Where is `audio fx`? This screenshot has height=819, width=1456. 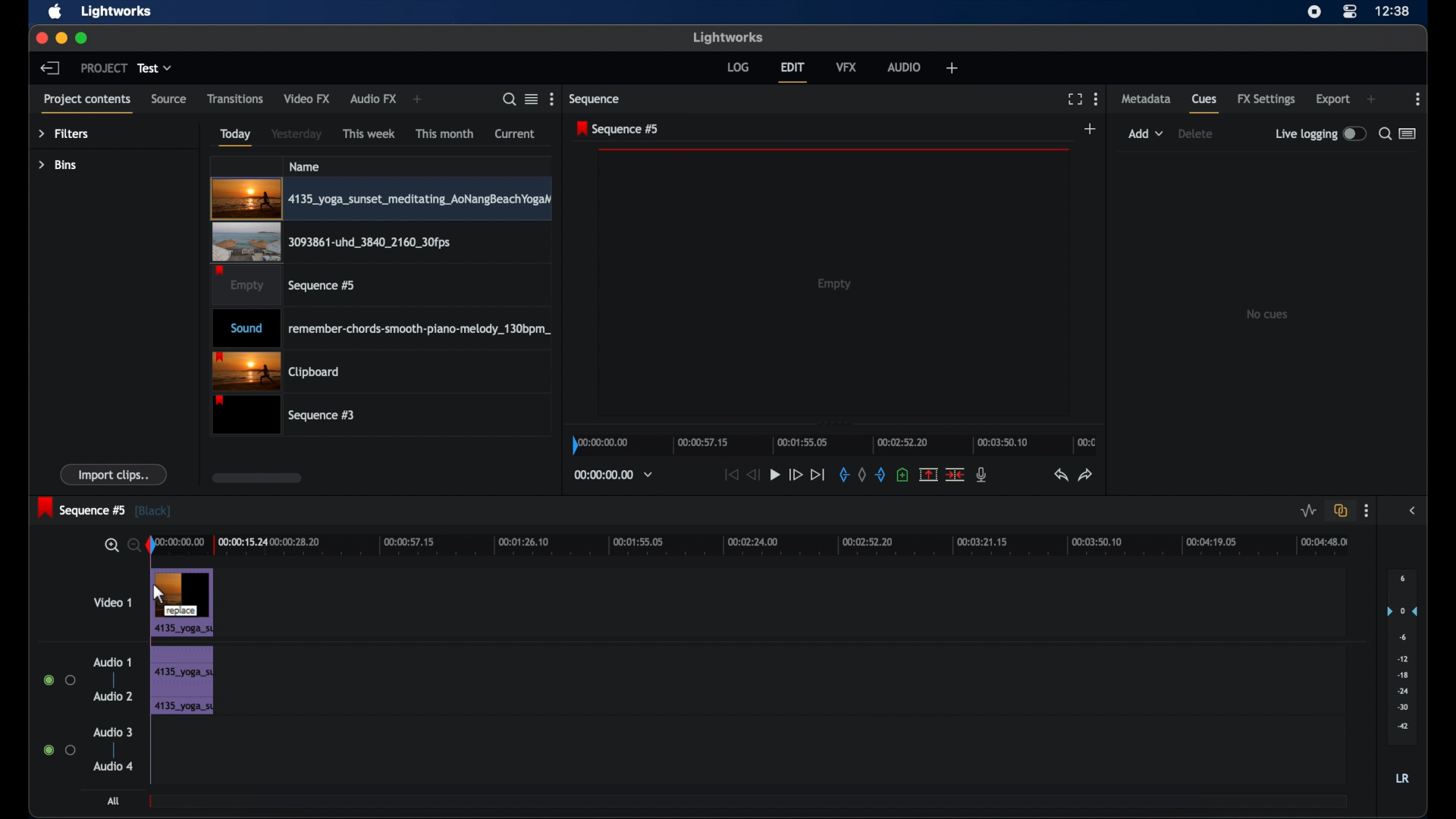 audio fx is located at coordinates (374, 99).